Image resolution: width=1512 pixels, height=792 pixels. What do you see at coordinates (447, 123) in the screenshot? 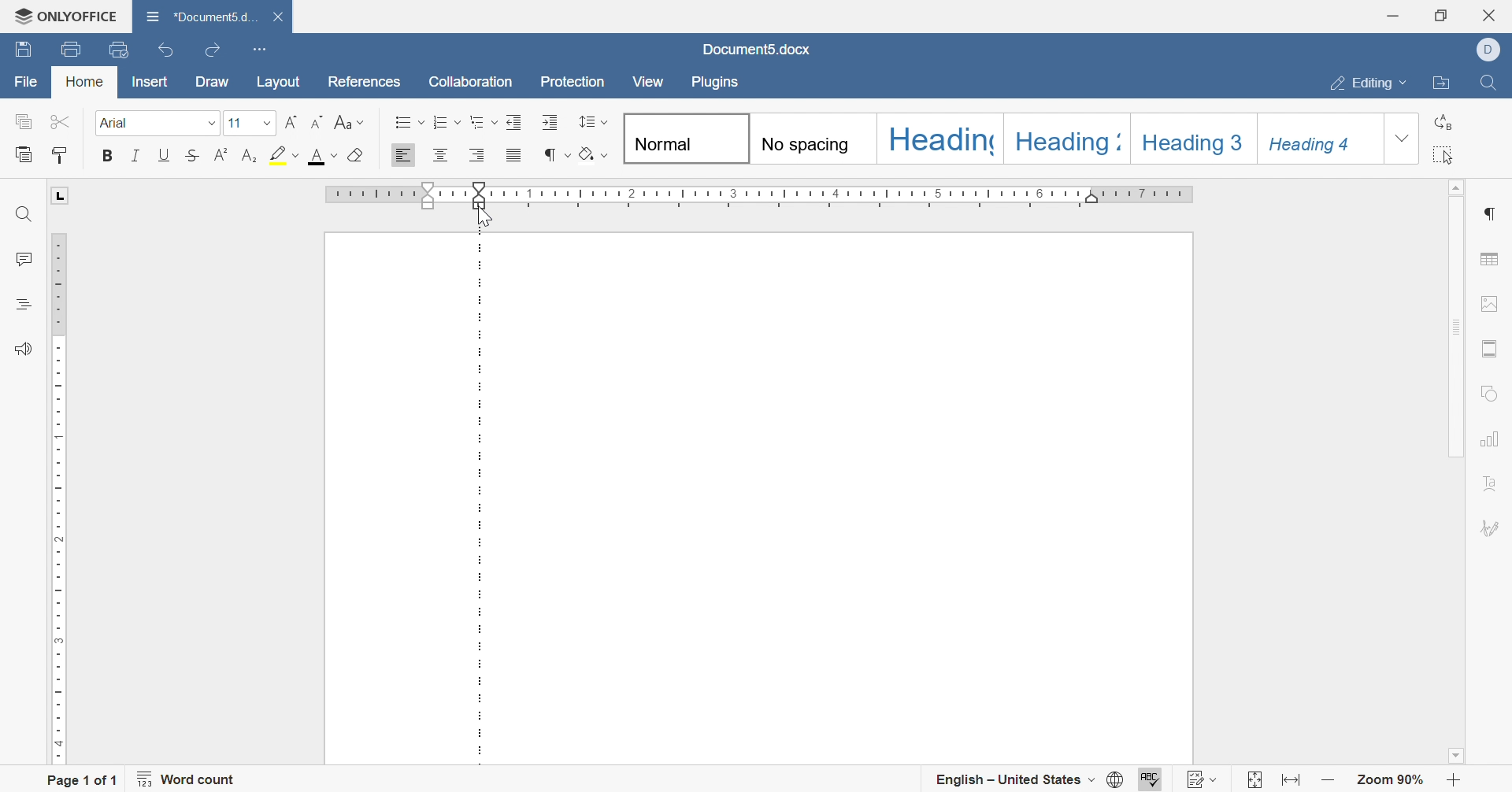
I see `numbering` at bounding box center [447, 123].